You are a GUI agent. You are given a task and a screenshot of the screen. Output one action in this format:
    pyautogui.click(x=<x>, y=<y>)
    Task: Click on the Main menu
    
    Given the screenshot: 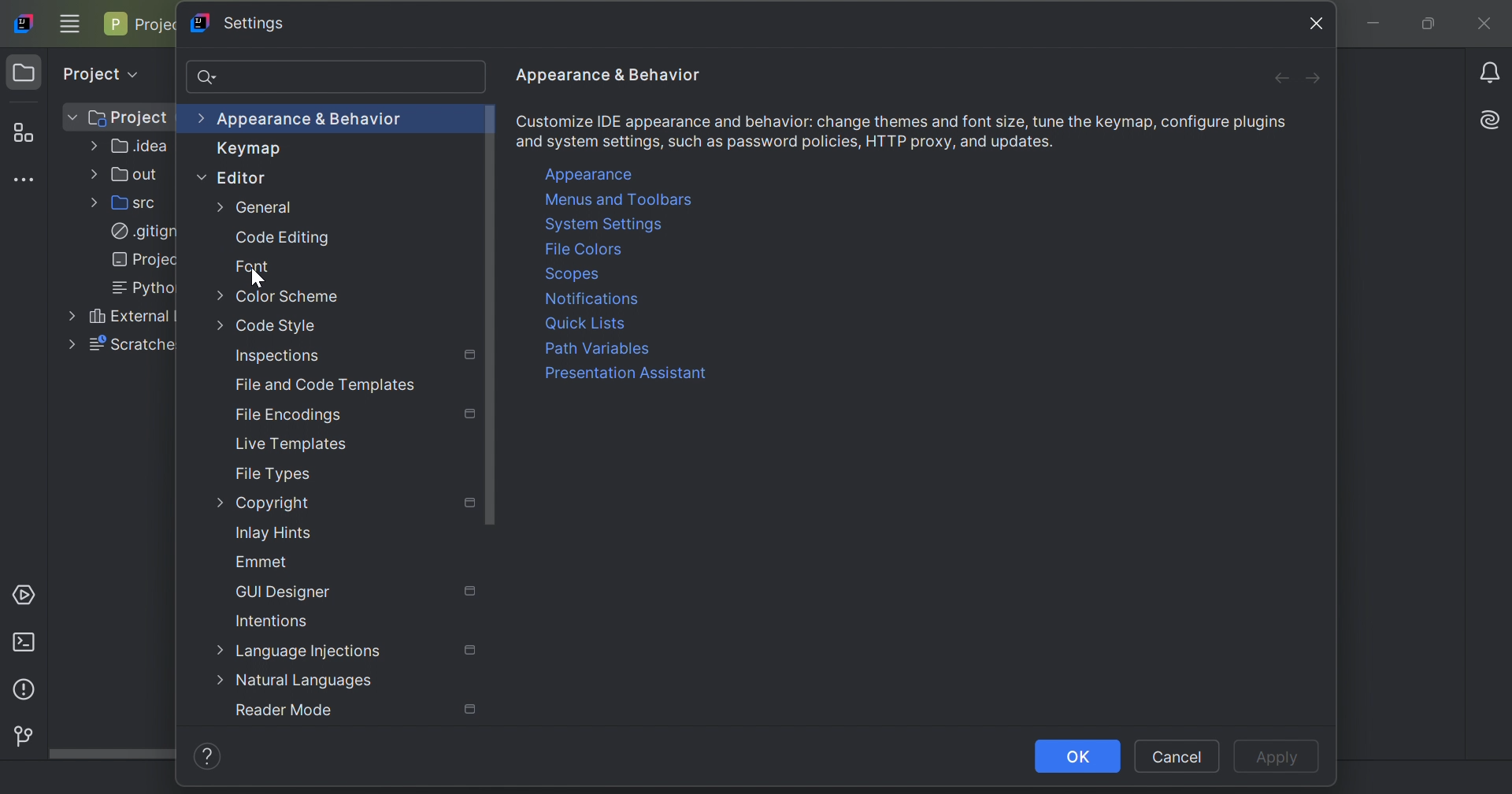 What is the action you would take?
    pyautogui.click(x=70, y=23)
    